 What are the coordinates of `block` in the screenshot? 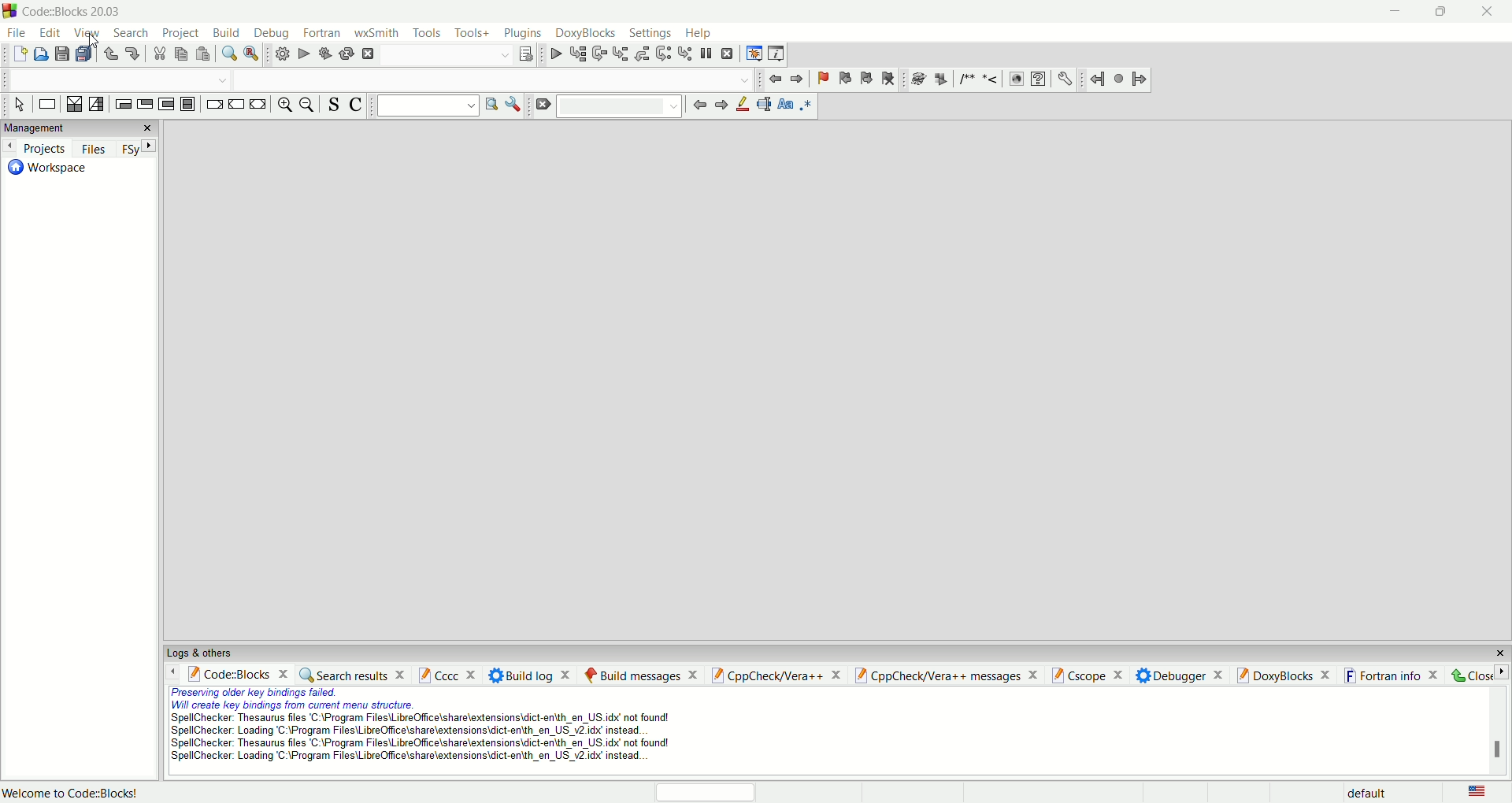 It's located at (187, 105).